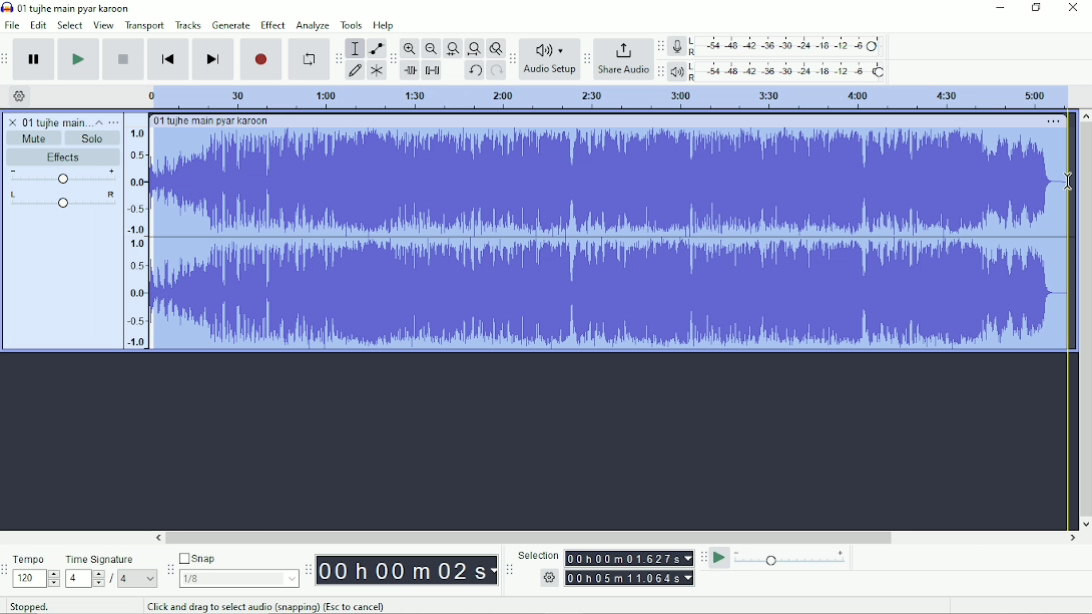  I want to click on Audacity play-at-speed toolbar, so click(703, 557).